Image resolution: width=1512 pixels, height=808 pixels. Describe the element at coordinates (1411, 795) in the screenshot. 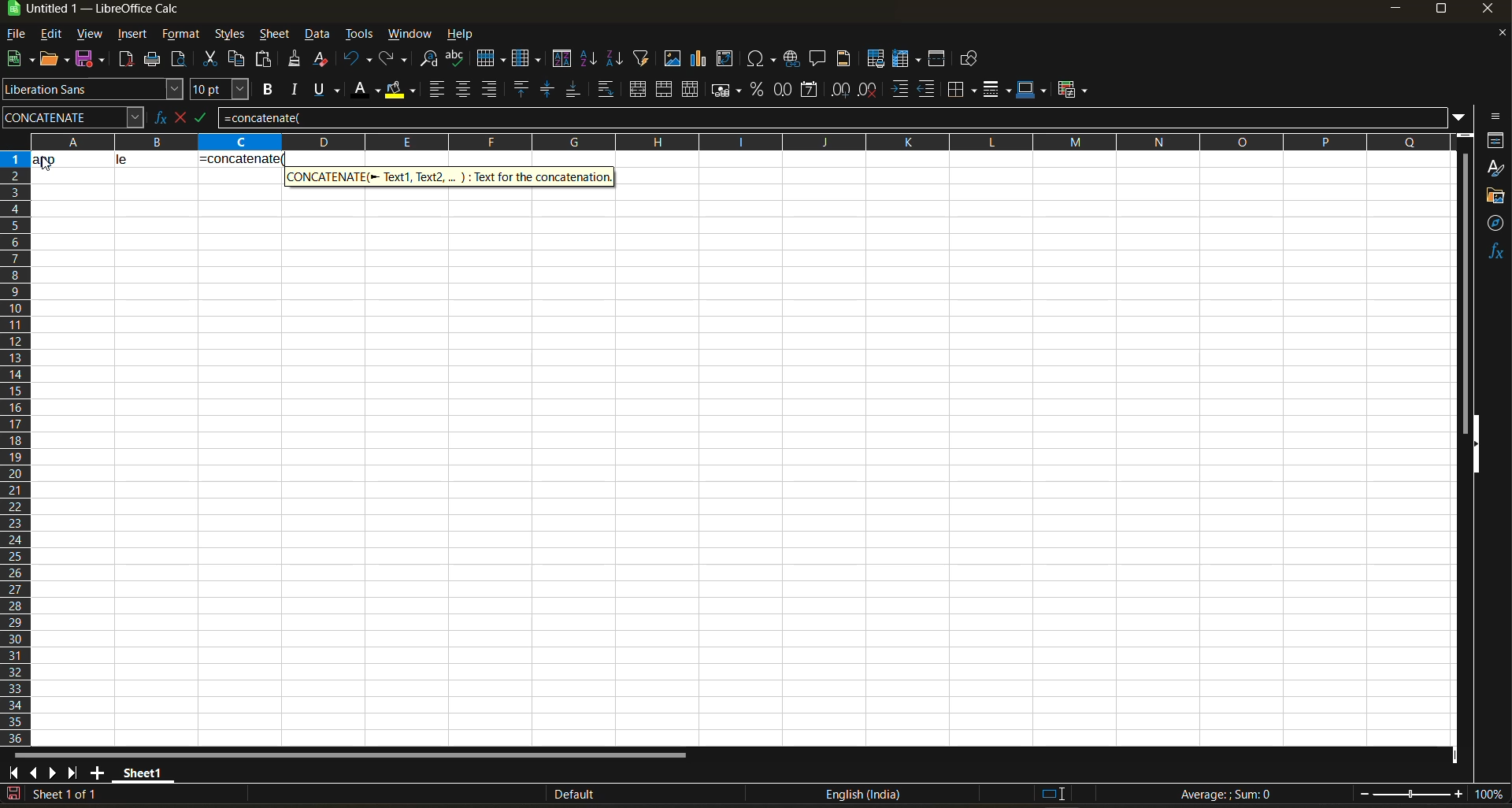

I see `zoom slider` at that location.